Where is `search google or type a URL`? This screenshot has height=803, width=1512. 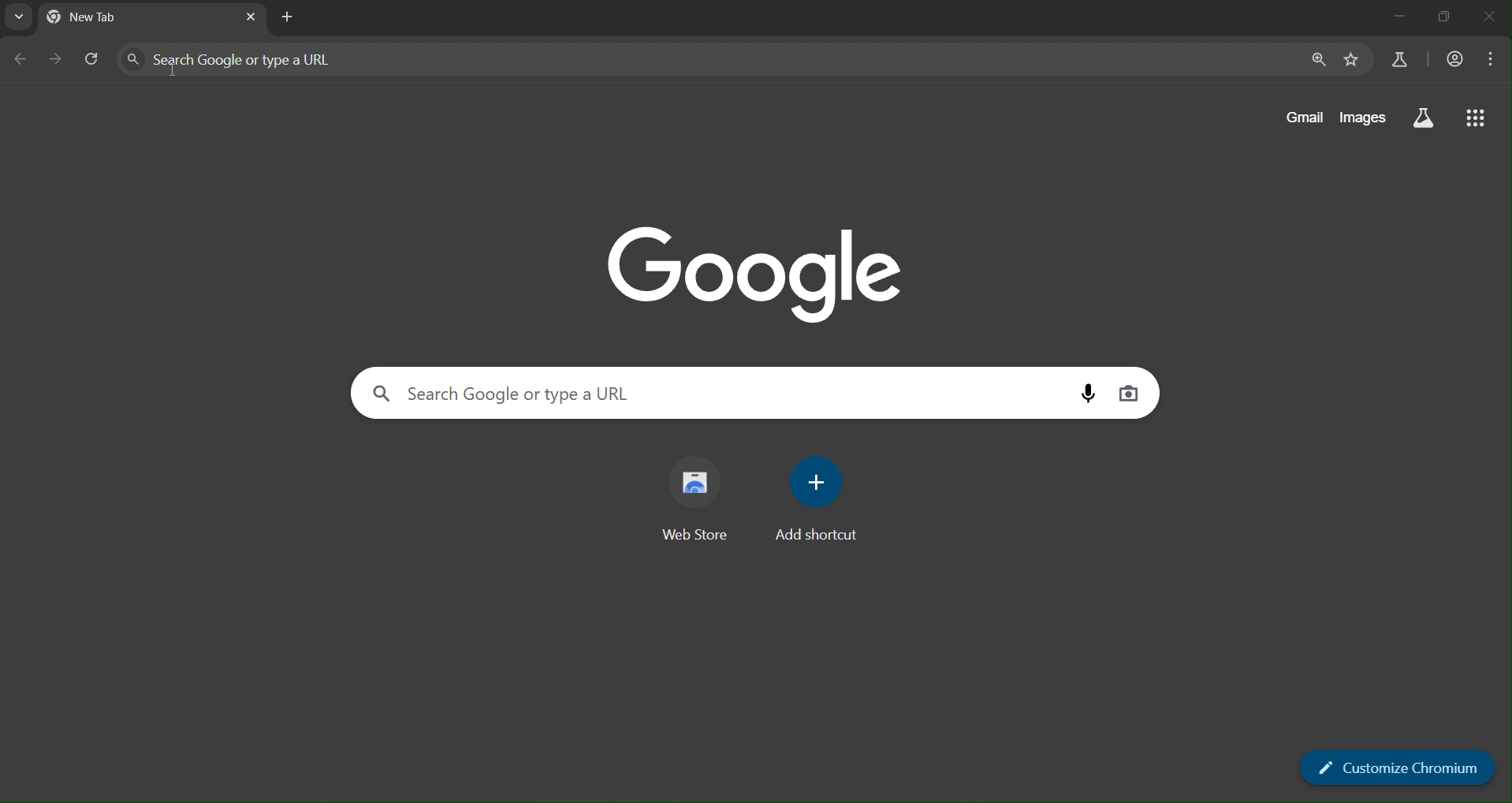 search google or type a URL is located at coordinates (307, 58).